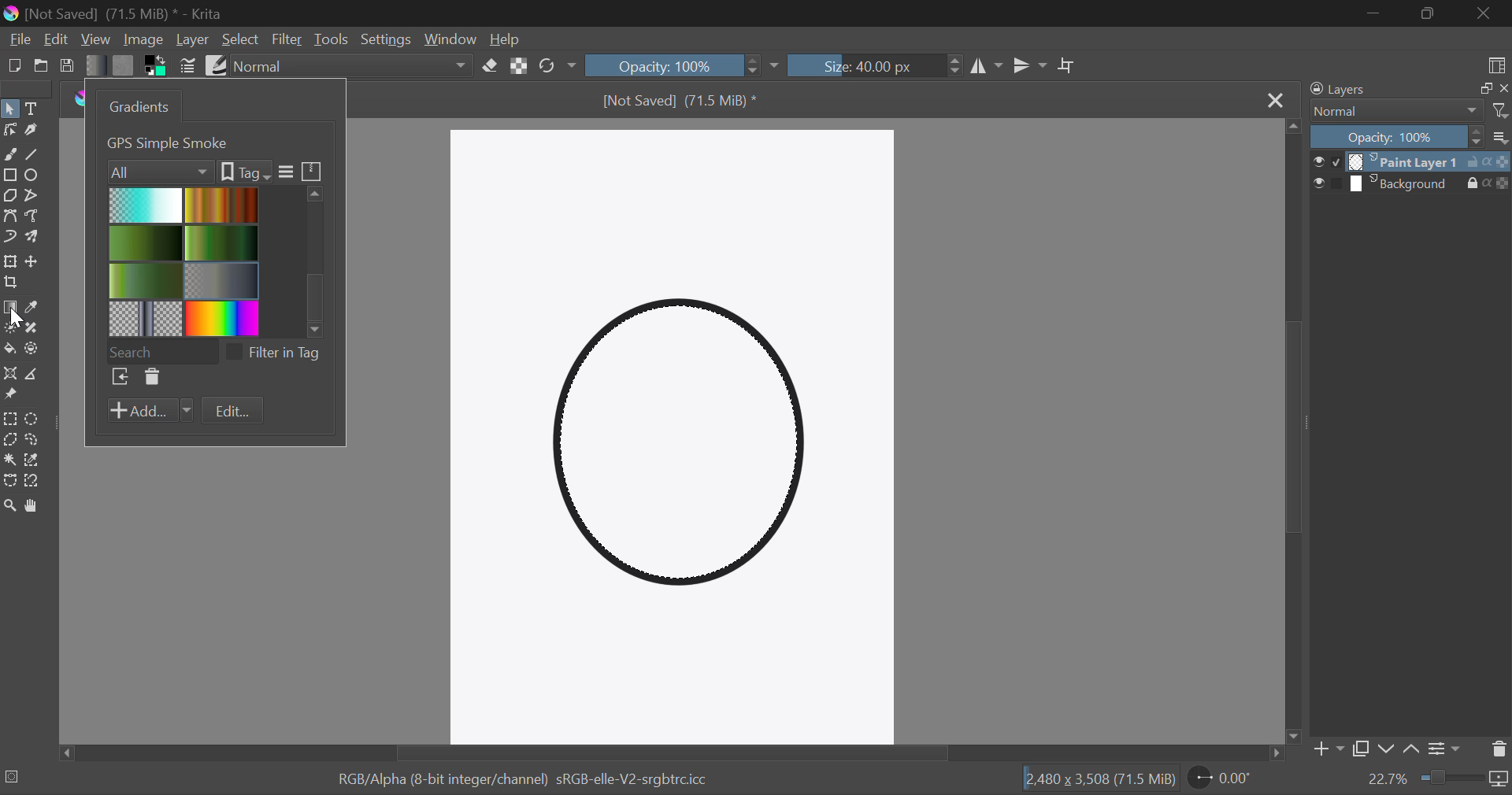 This screenshot has width=1512, height=795. What do you see at coordinates (1374, 14) in the screenshot?
I see `Restore Down` at bounding box center [1374, 14].